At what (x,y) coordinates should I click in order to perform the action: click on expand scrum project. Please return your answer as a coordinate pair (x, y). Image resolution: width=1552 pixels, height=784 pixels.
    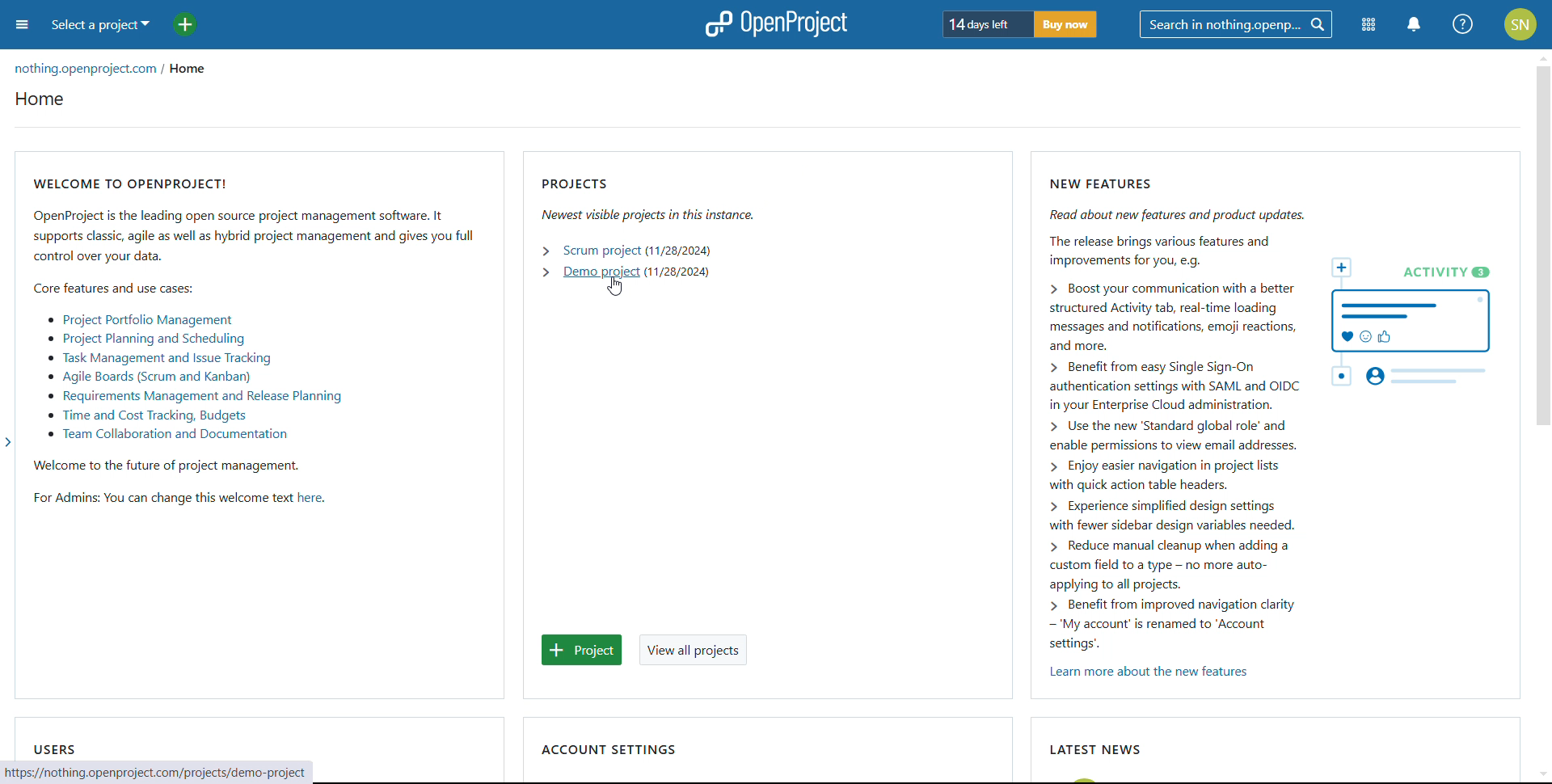
    Looking at the image, I should click on (546, 250).